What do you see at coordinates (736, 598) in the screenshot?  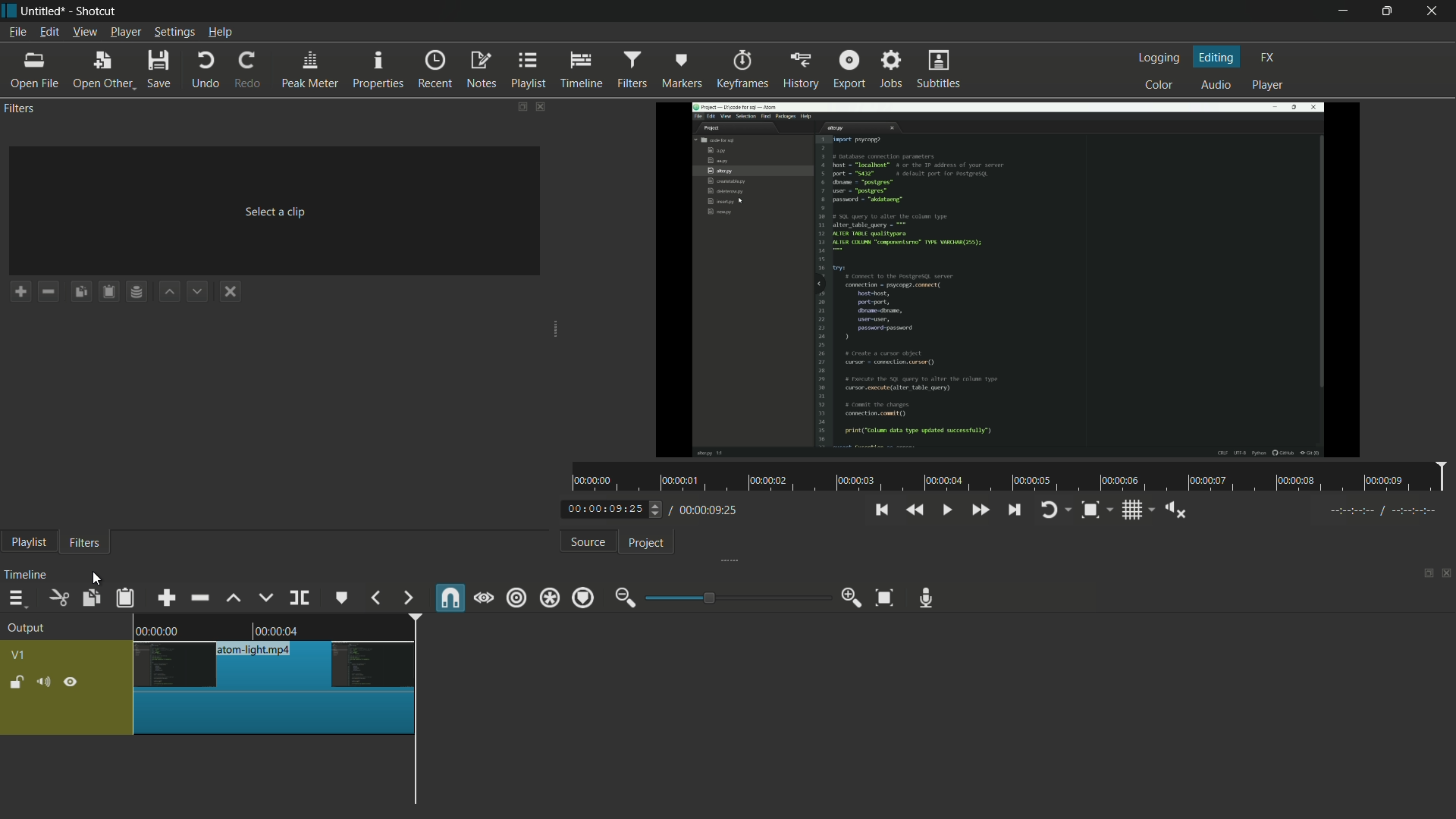 I see `adjustment bar` at bounding box center [736, 598].